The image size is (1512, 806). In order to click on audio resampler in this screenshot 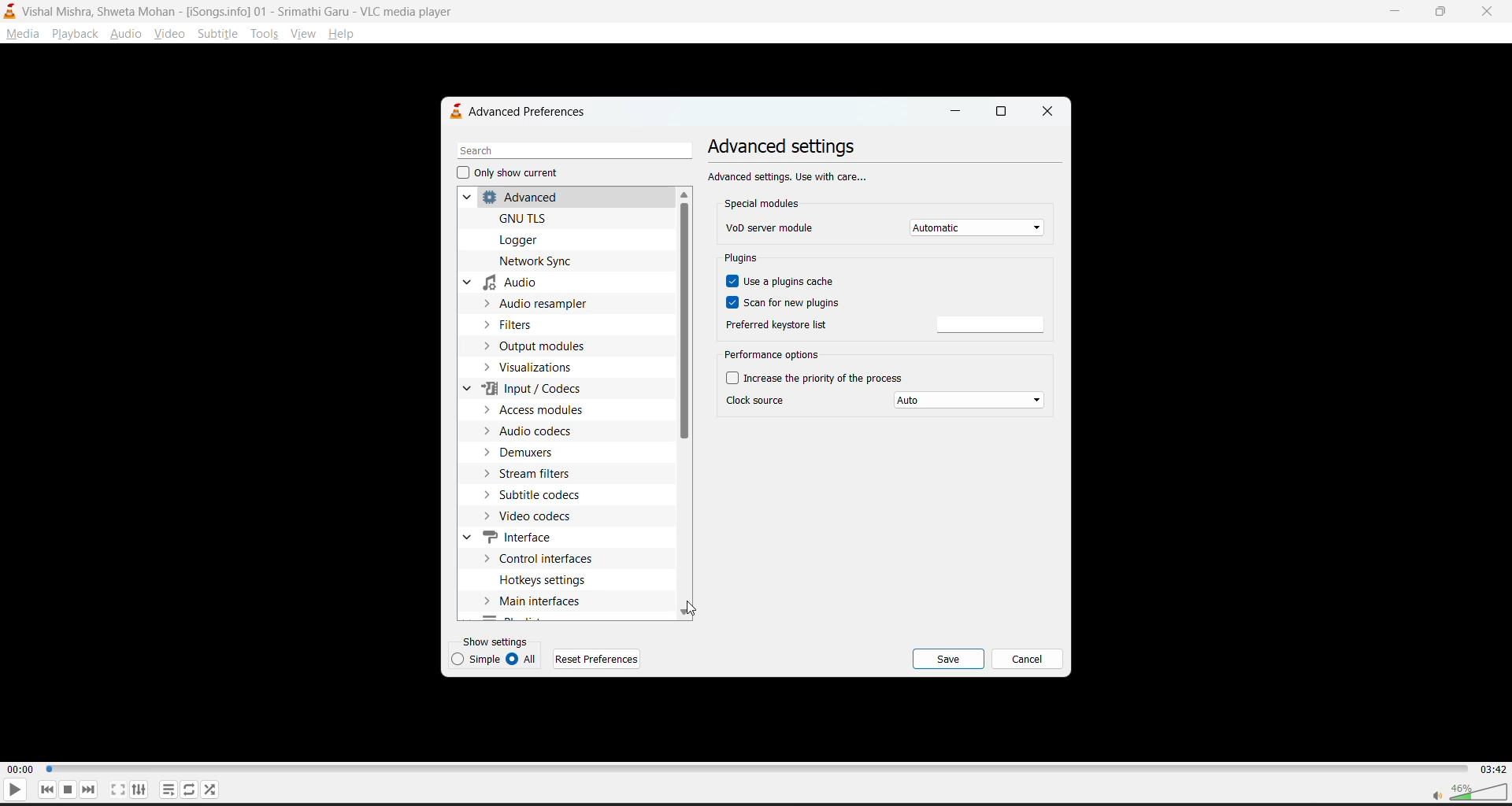, I will do `click(542, 304)`.